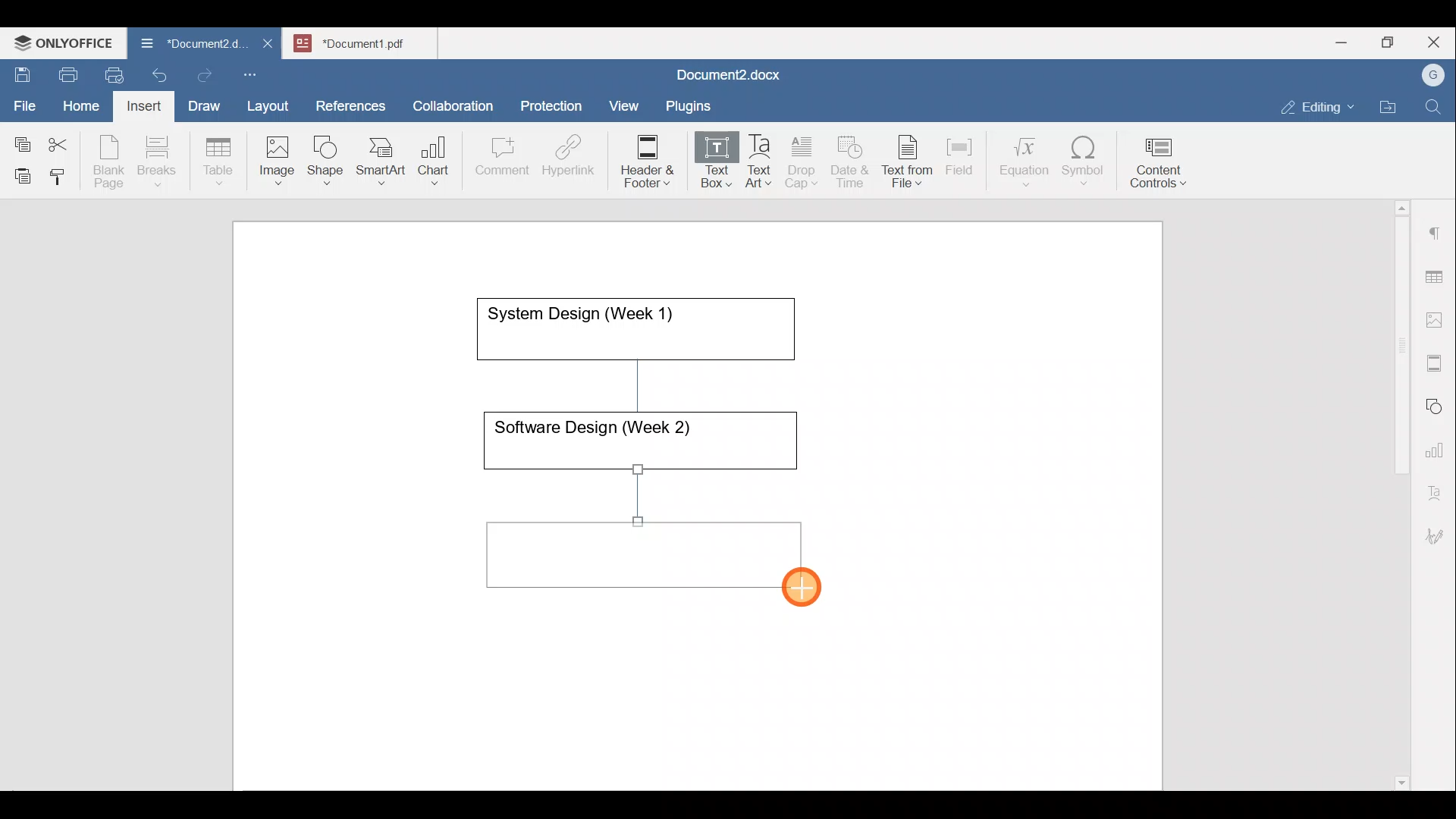  I want to click on Editing mode, so click(1318, 104).